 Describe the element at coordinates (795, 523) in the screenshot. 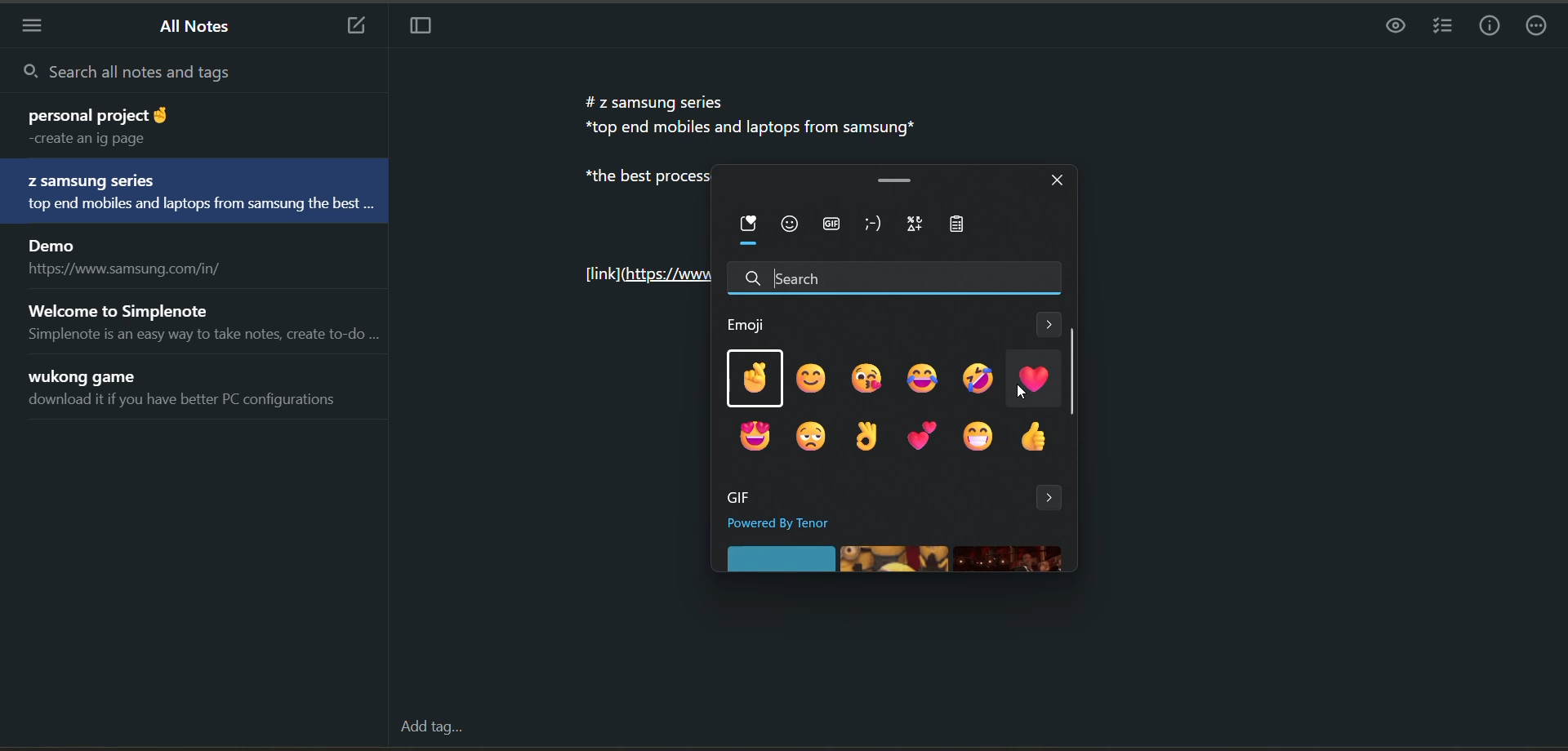

I see `powered by tenor` at that location.